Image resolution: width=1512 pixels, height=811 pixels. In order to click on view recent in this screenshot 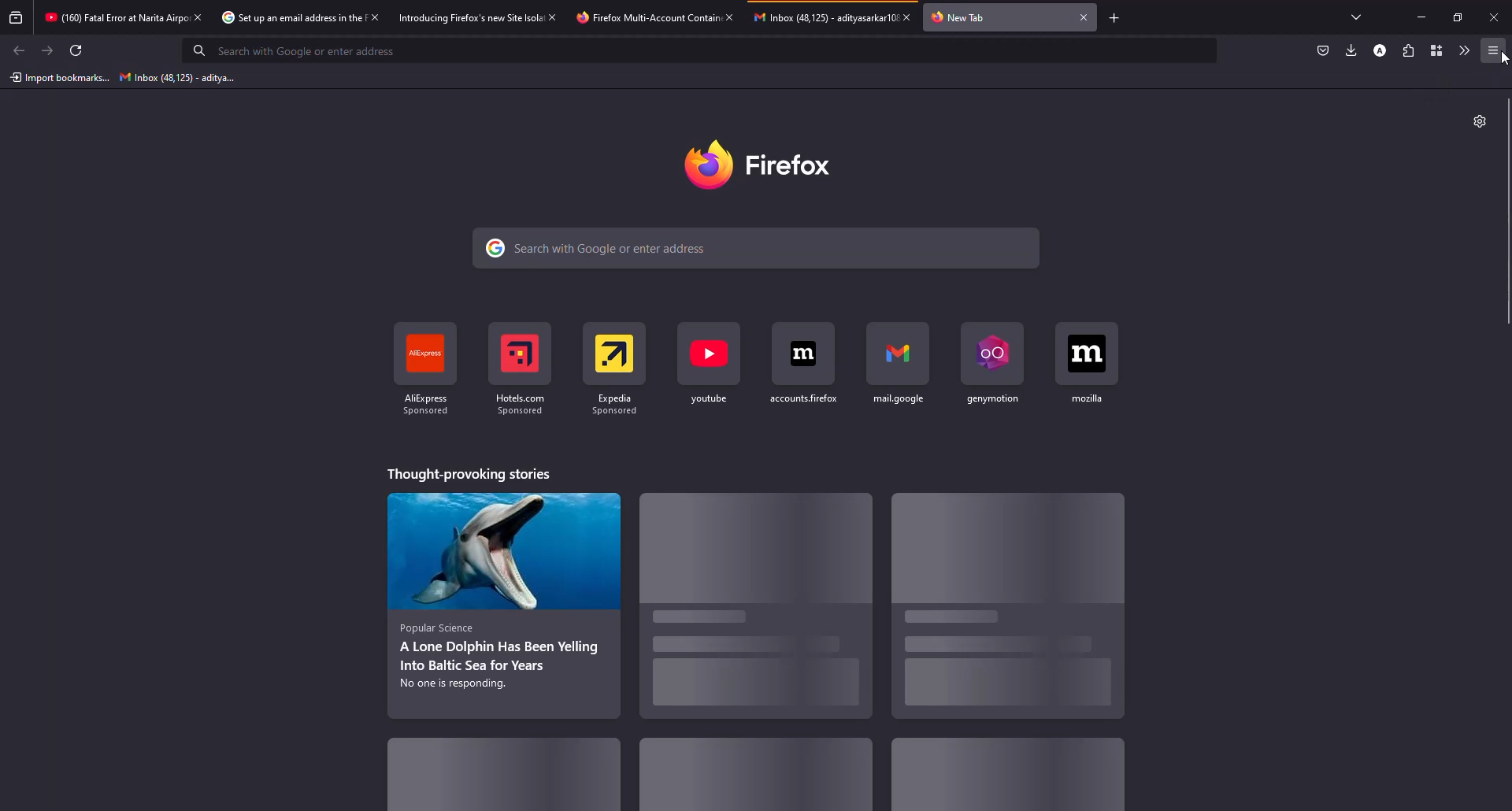, I will do `click(17, 18)`.